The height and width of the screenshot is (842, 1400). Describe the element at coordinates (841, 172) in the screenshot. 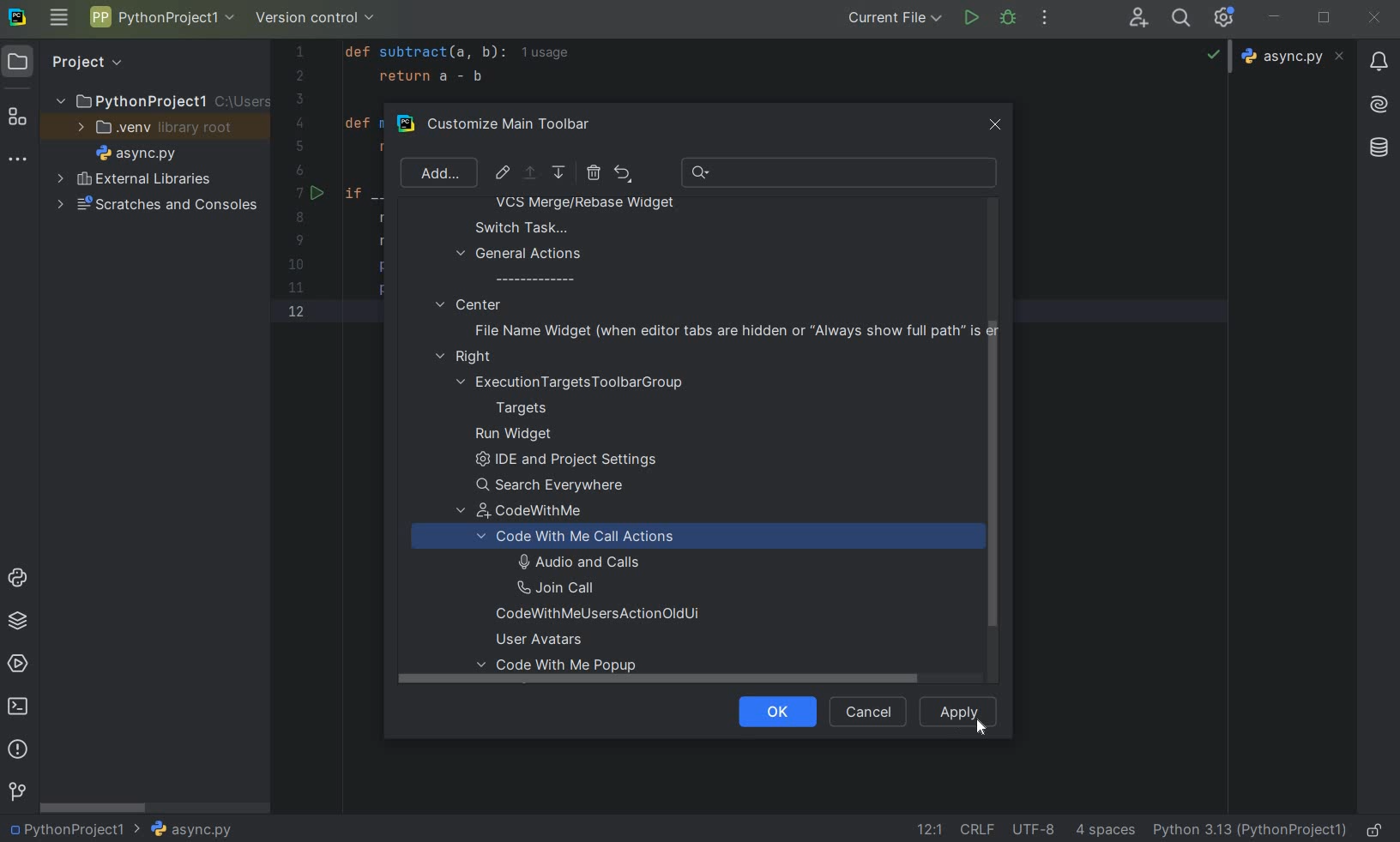

I see `RECENT SEARCH` at that location.